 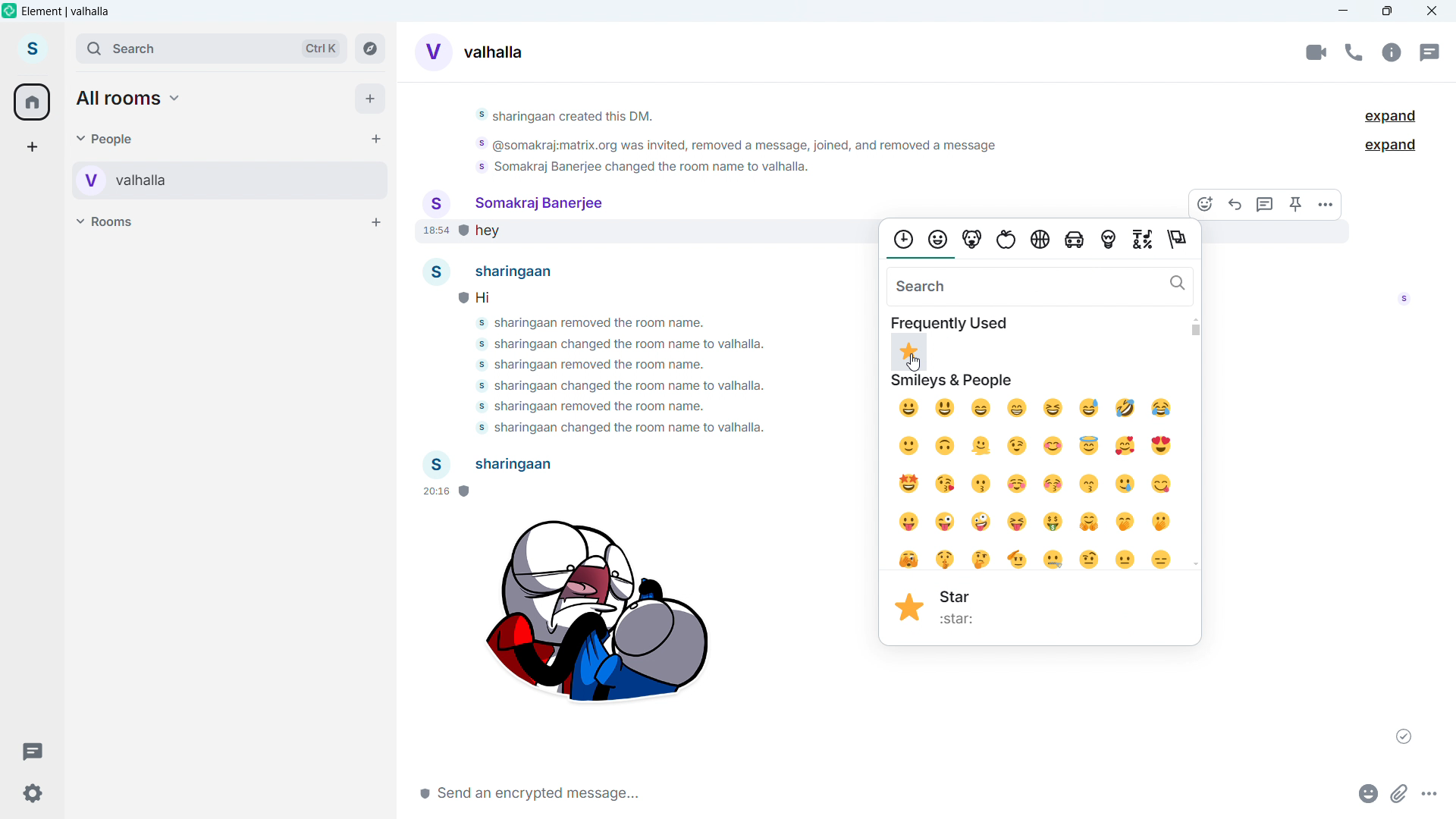 I want to click on Add , so click(x=371, y=99).